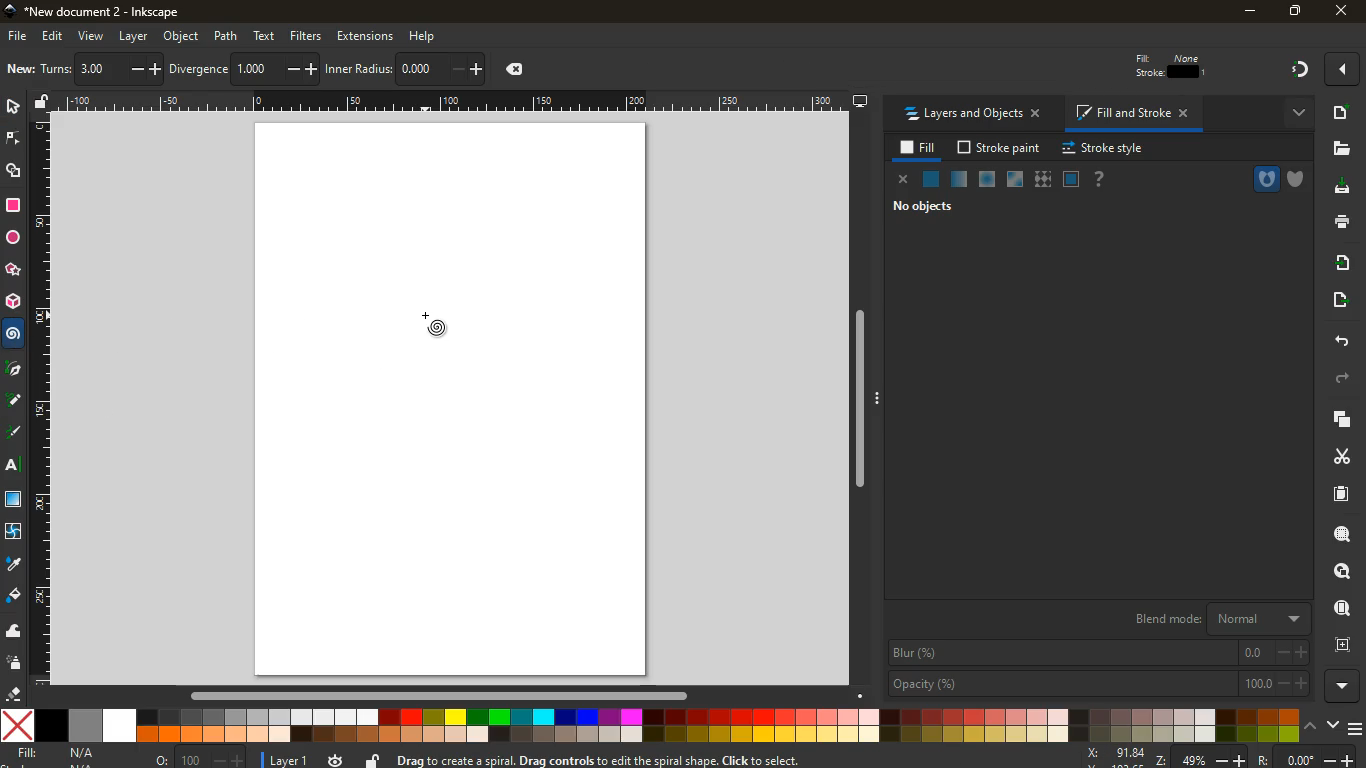 The image size is (1366, 768). Describe the element at coordinates (13, 106) in the screenshot. I see `select` at that location.